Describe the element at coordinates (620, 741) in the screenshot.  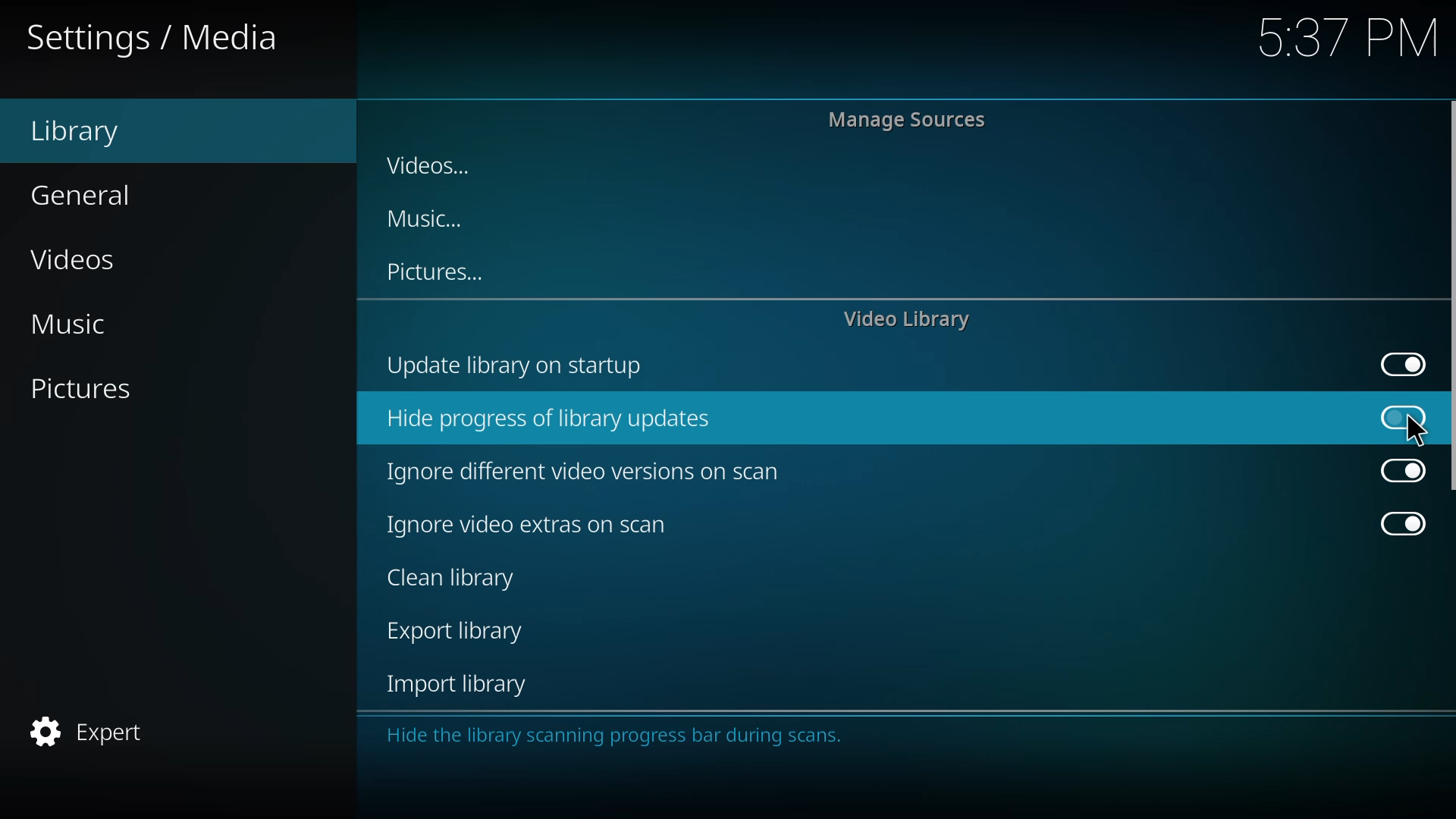
I see `Hide the library scanning progress bar during scans.` at that location.